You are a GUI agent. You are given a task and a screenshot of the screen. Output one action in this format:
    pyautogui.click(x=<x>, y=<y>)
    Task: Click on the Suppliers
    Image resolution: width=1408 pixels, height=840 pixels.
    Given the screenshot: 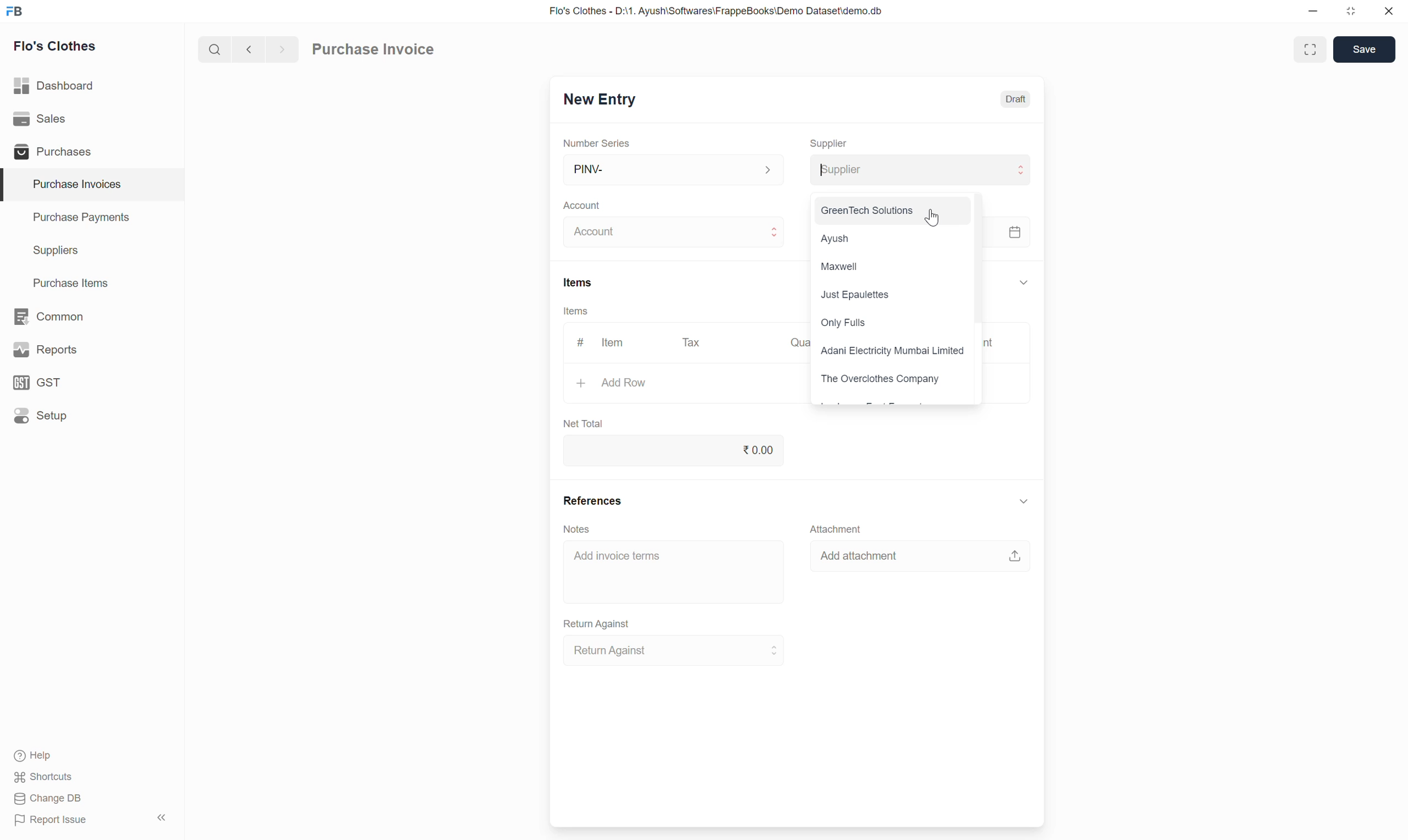 What is the action you would take?
    pyautogui.click(x=92, y=251)
    